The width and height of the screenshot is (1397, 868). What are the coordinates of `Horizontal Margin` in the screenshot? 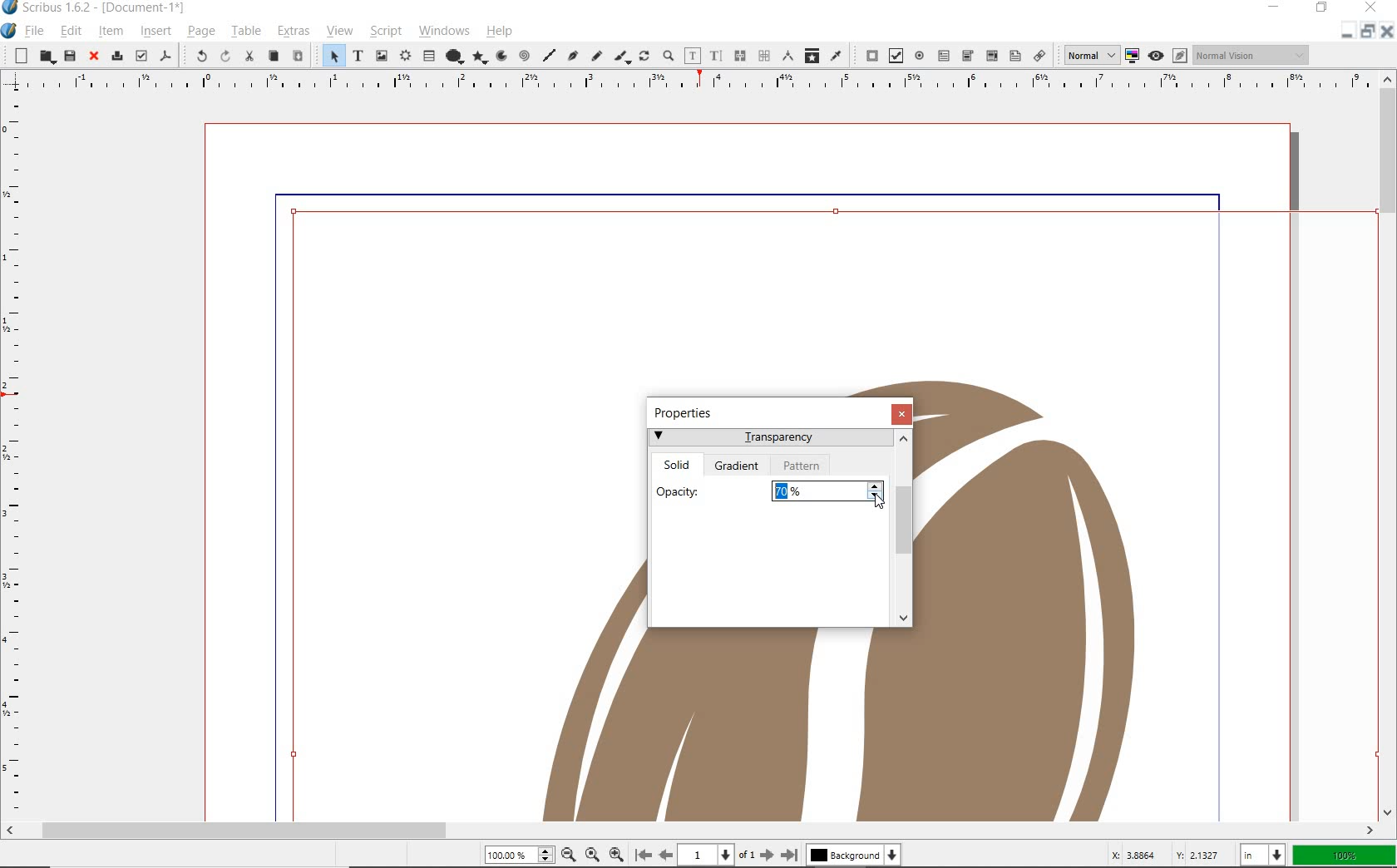 It's located at (687, 84).